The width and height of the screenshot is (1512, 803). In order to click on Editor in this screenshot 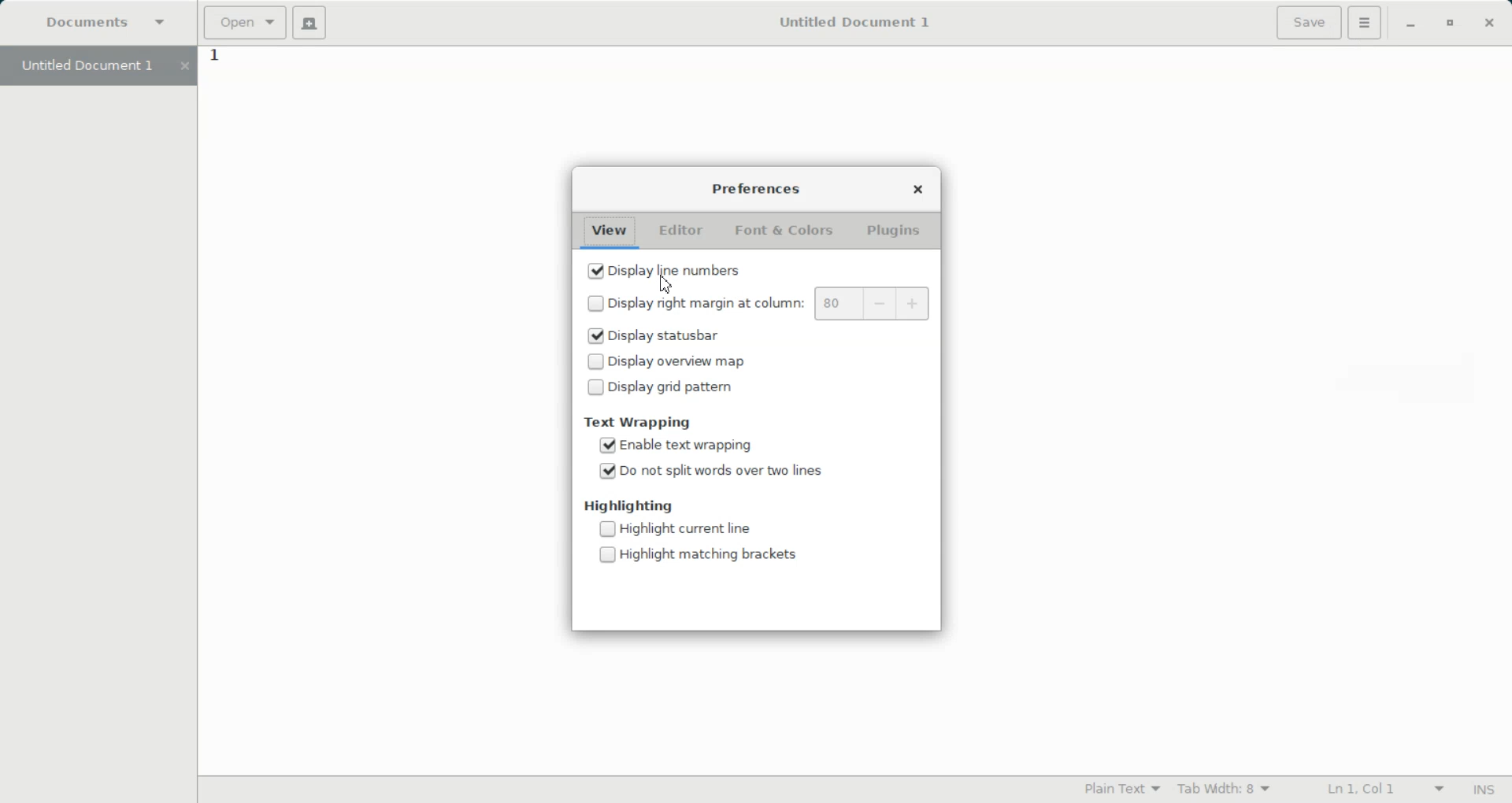, I will do `click(678, 232)`.